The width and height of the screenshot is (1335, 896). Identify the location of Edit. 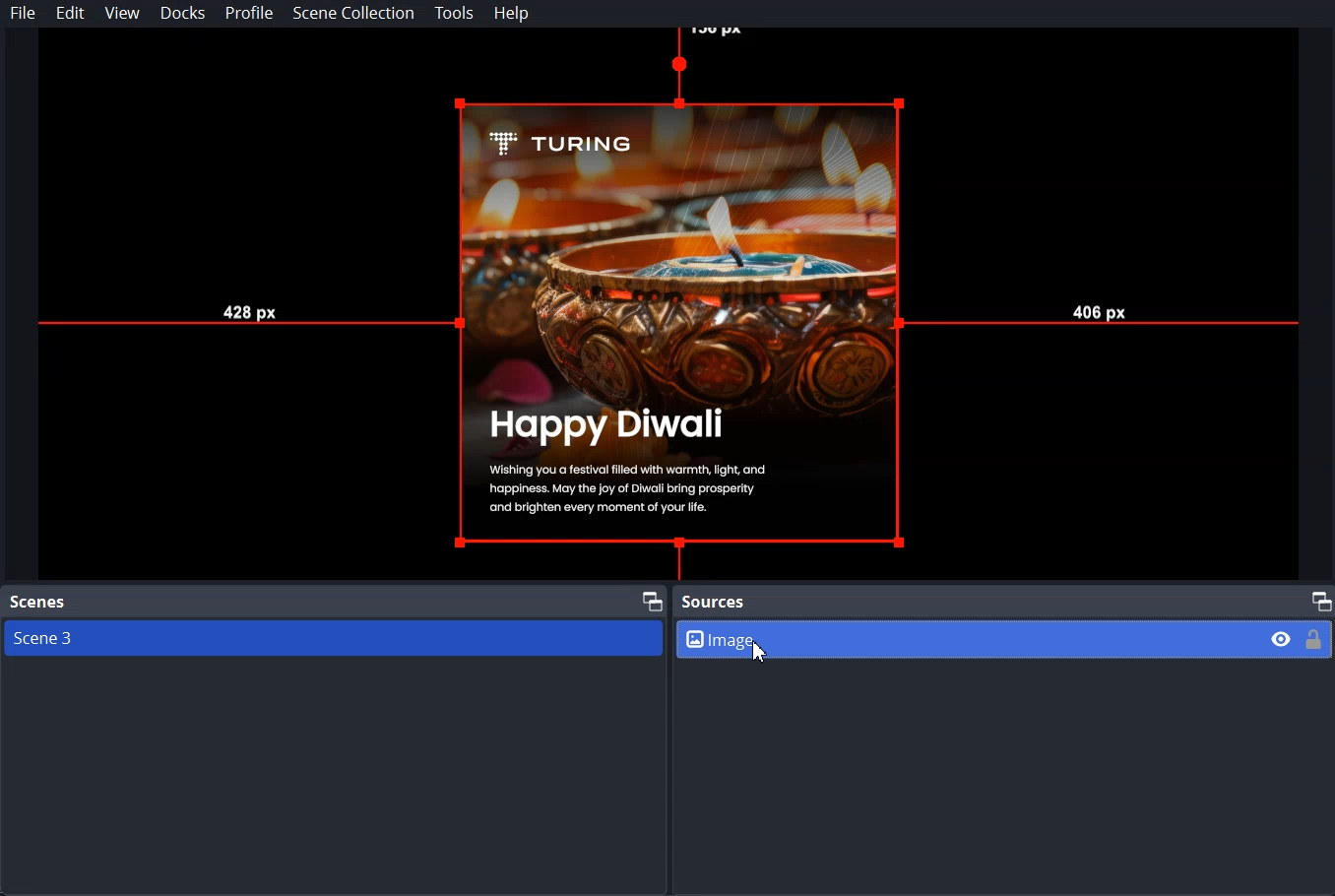
(70, 14).